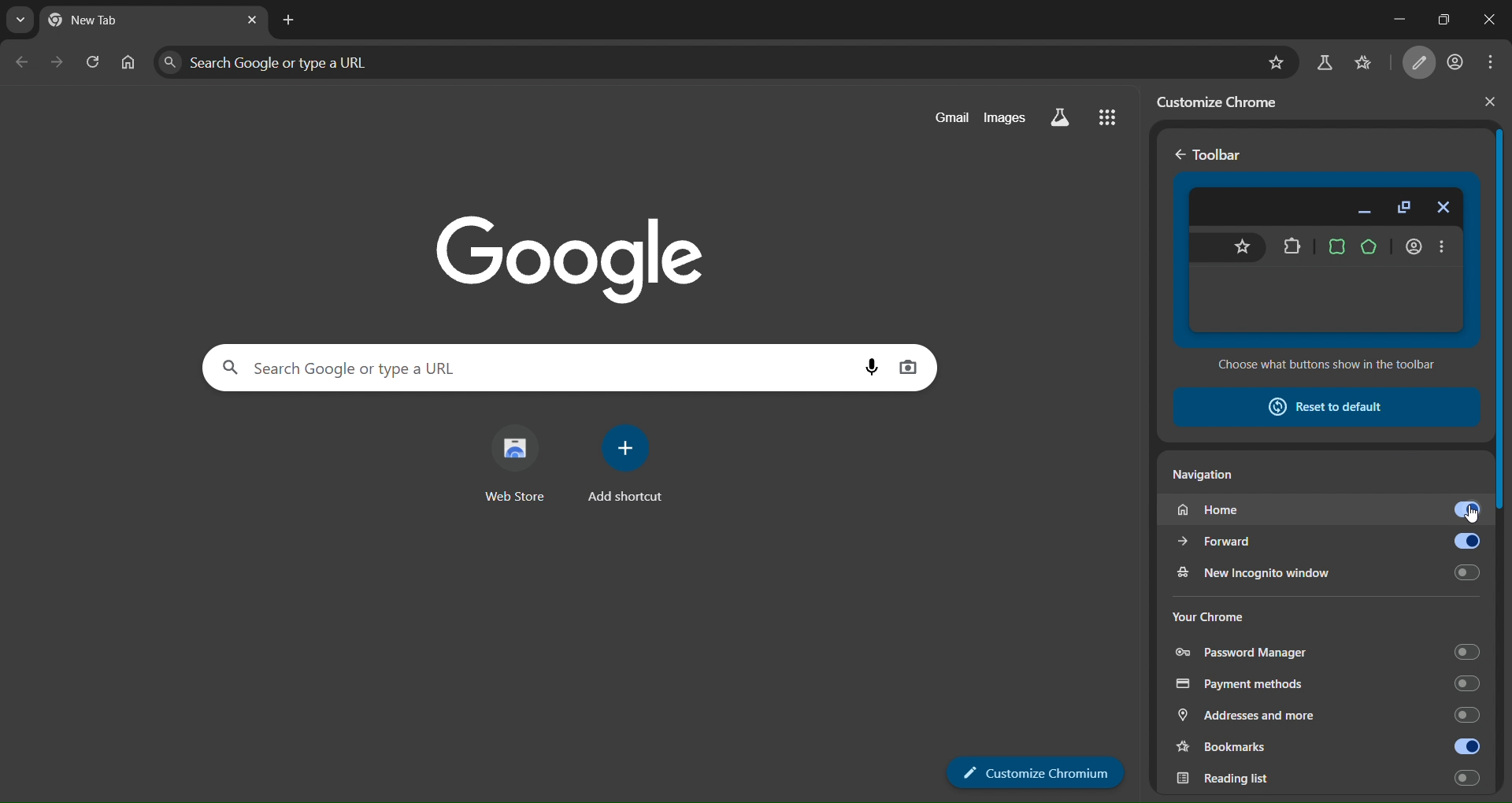  What do you see at coordinates (1334, 781) in the screenshot?
I see `Reading list` at bounding box center [1334, 781].